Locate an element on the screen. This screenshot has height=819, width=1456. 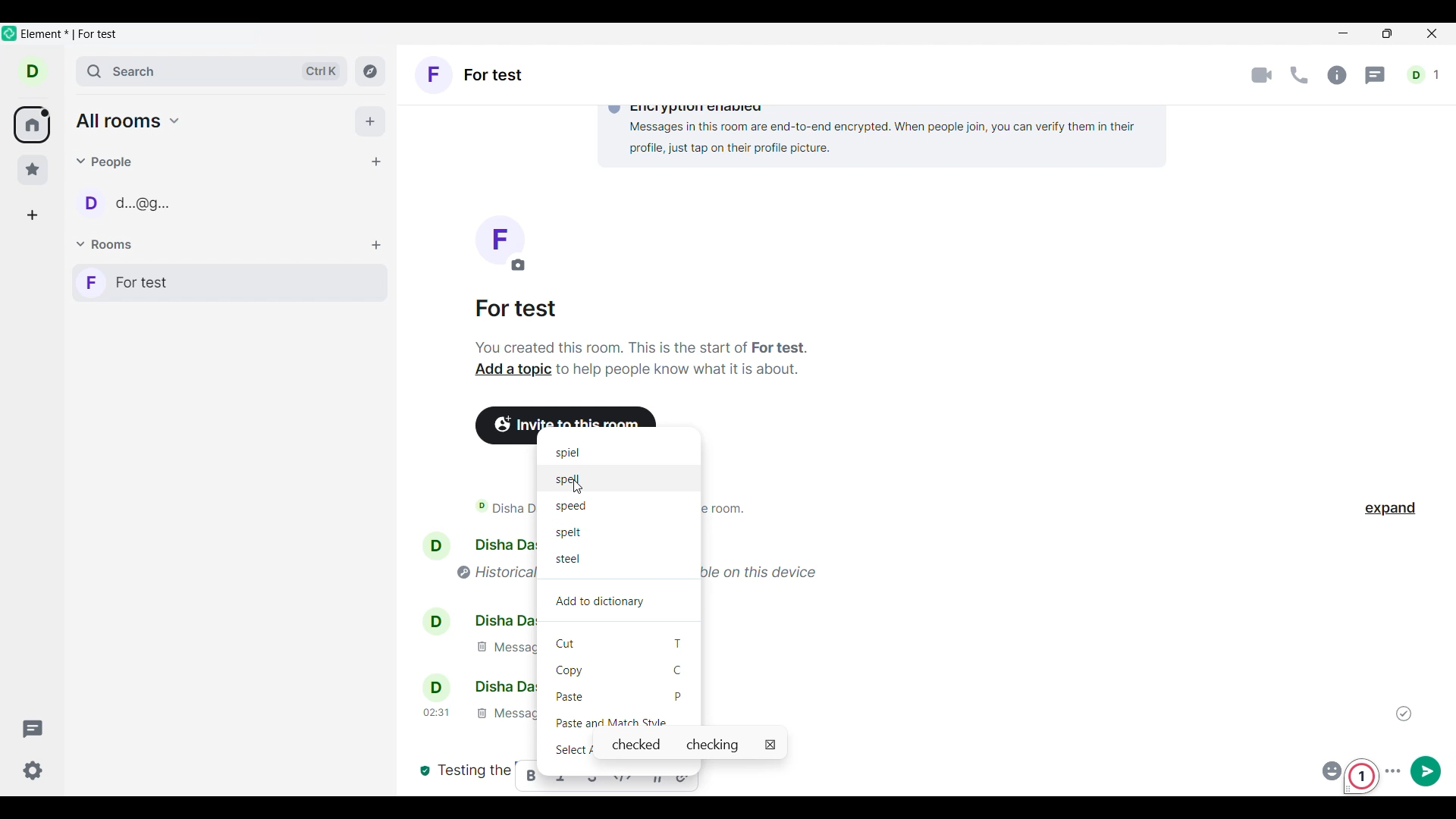
Call is located at coordinates (1299, 75).